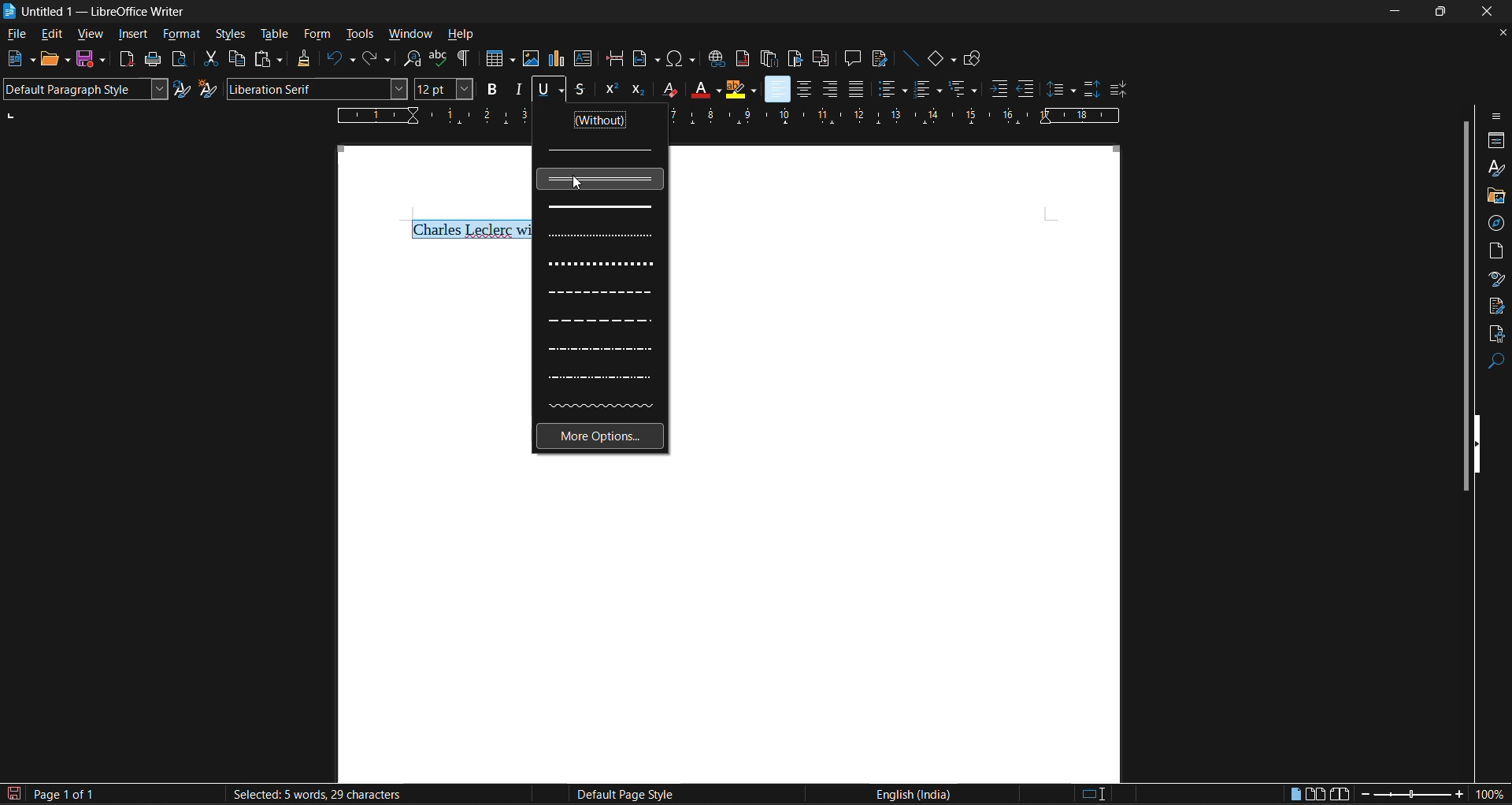 This screenshot has width=1512, height=805. I want to click on dash, so click(602, 295).